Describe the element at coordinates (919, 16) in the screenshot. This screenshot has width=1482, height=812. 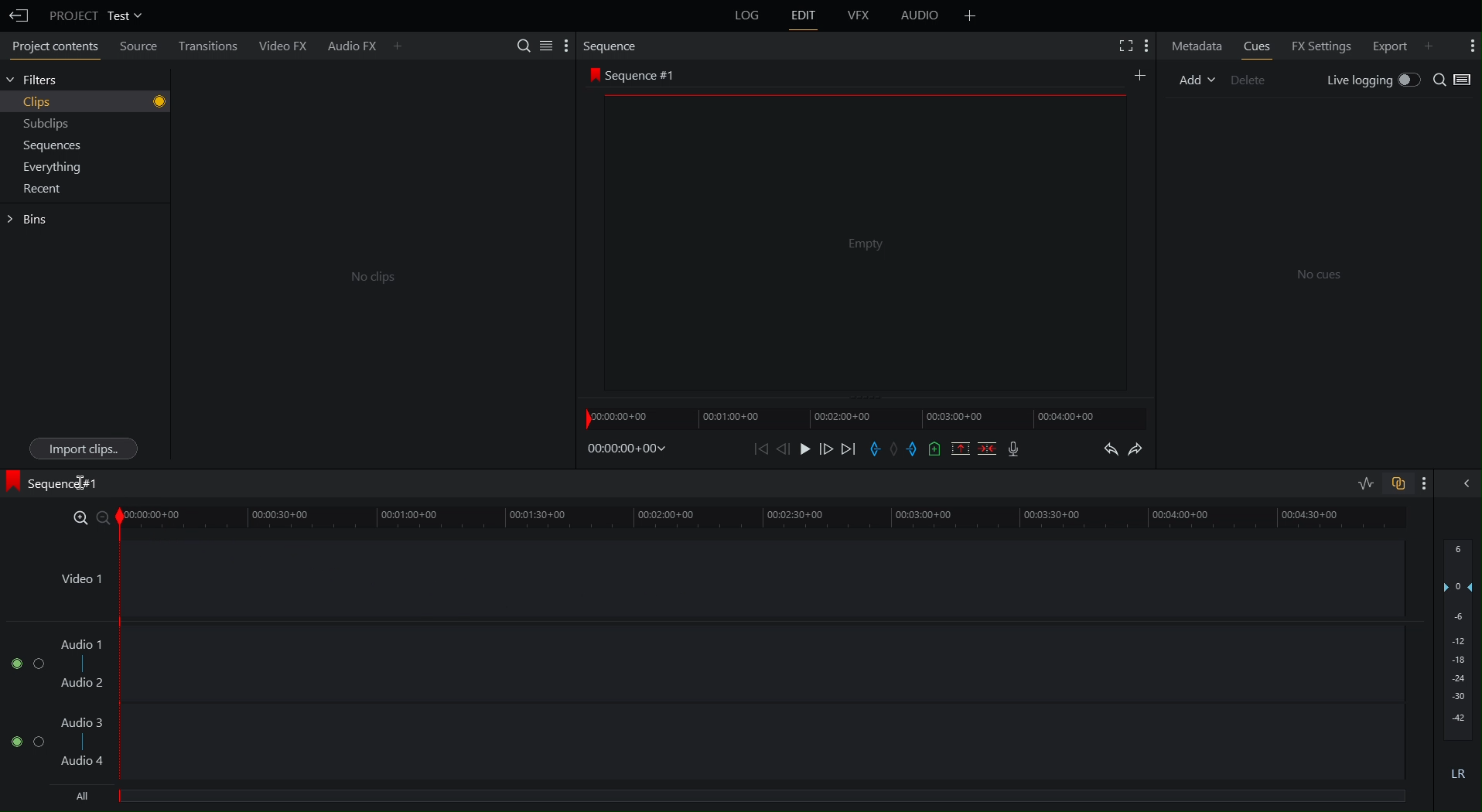
I see `Audio` at that location.